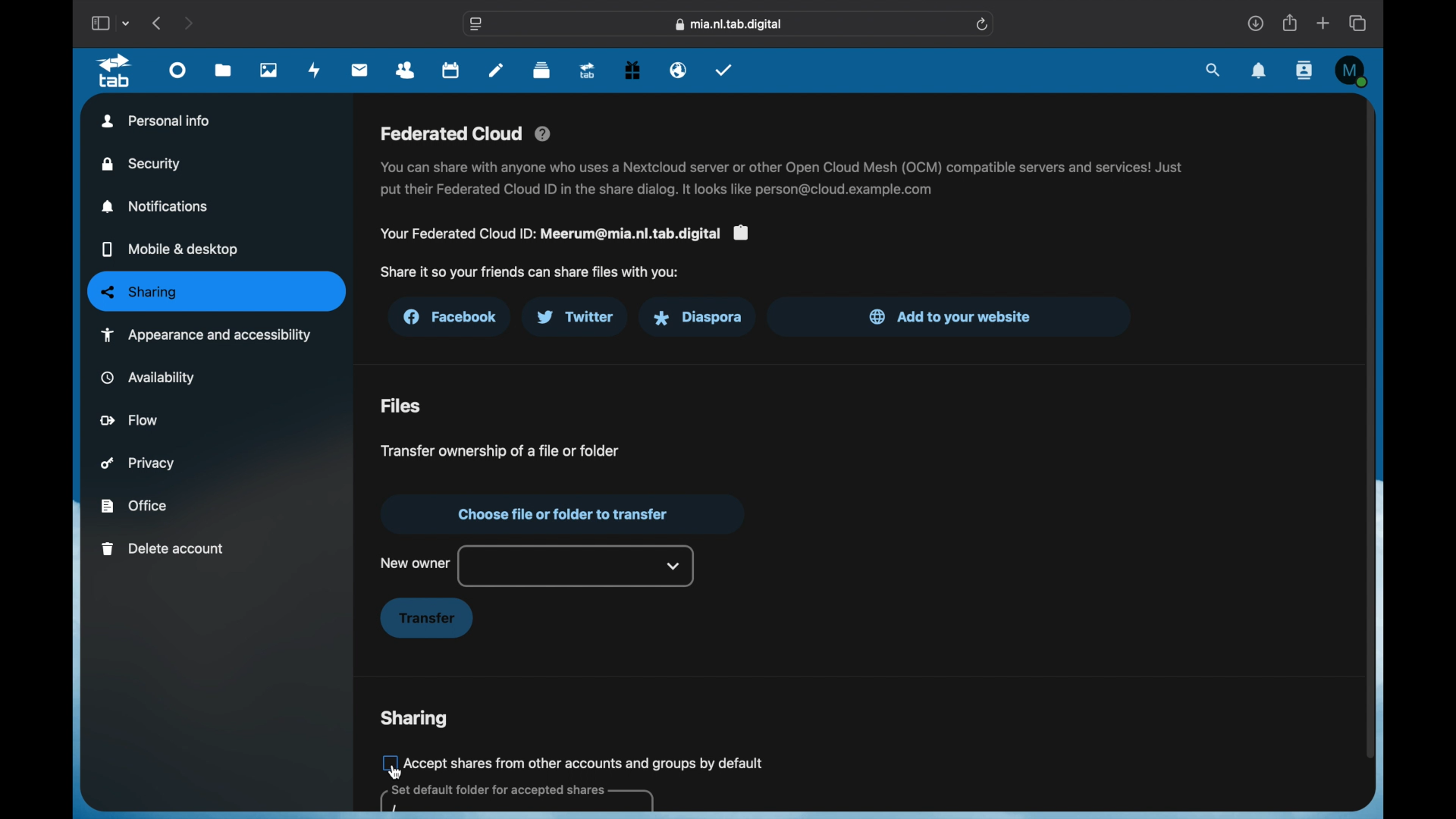 The image size is (1456, 819). What do you see at coordinates (395, 773) in the screenshot?
I see `Cursor` at bounding box center [395, 773].